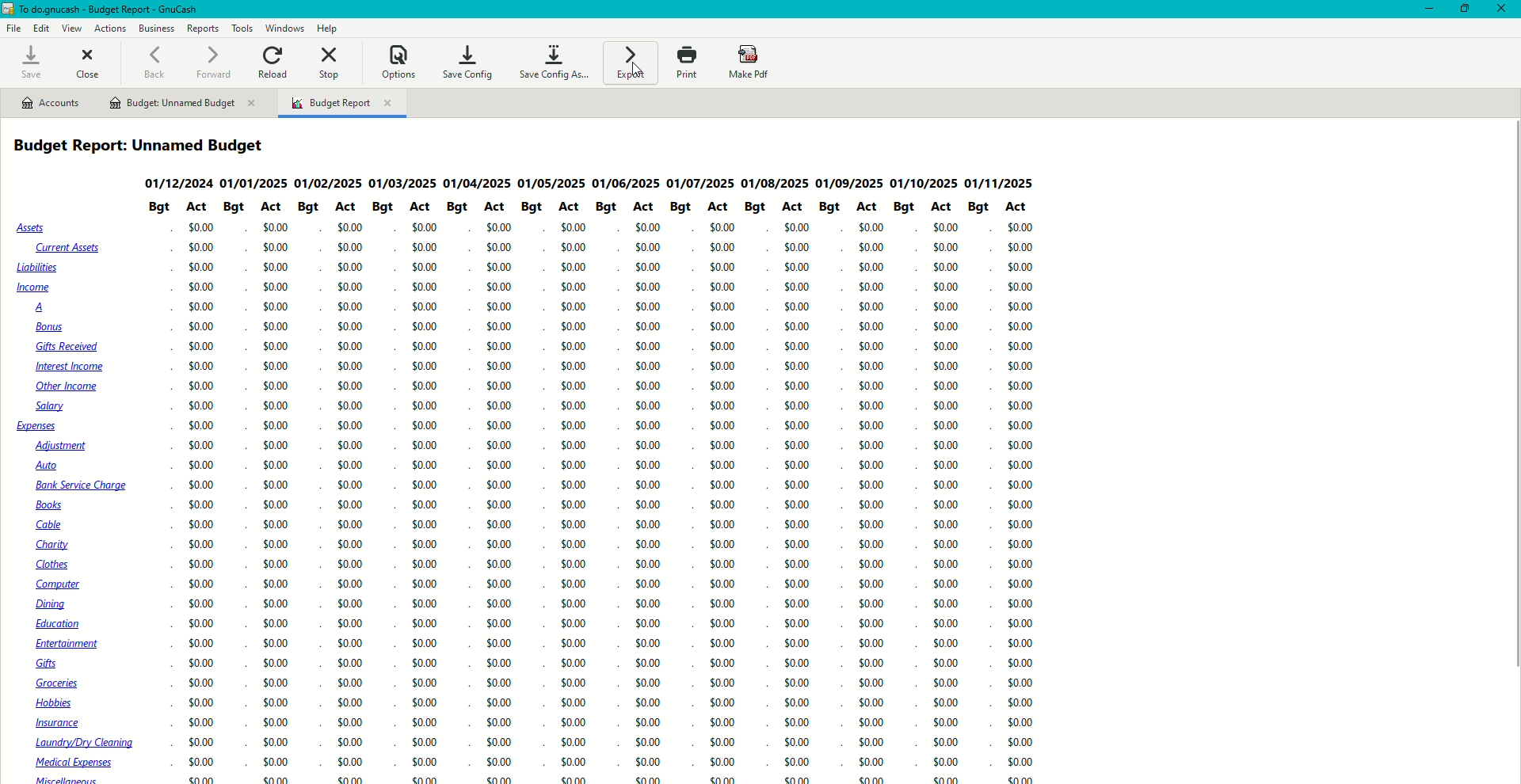 This screenshot has height=784, width=1521. I want to click on Reload, so click(275, 61).